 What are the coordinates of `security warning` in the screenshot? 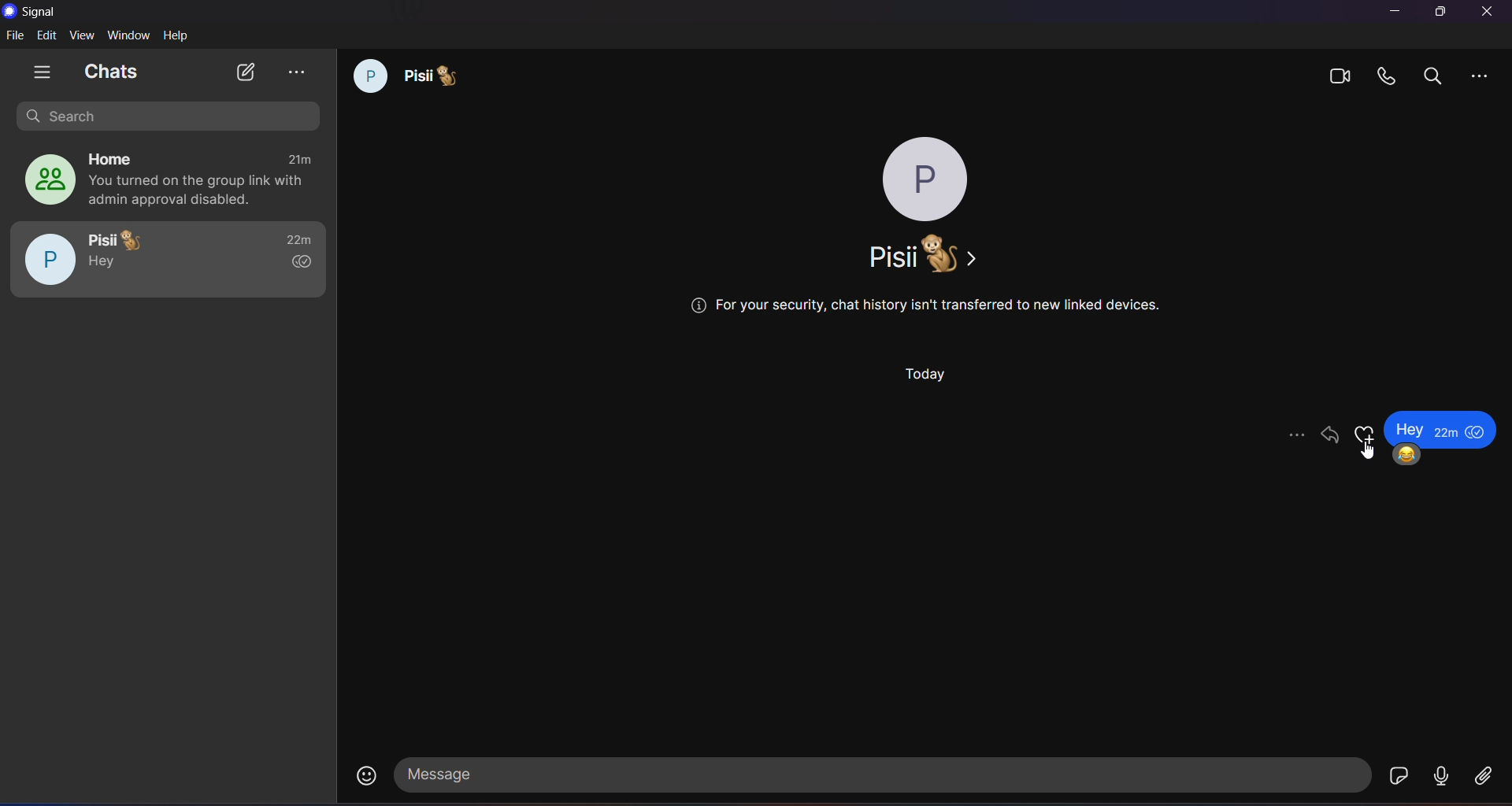 It's located at (923, 310).